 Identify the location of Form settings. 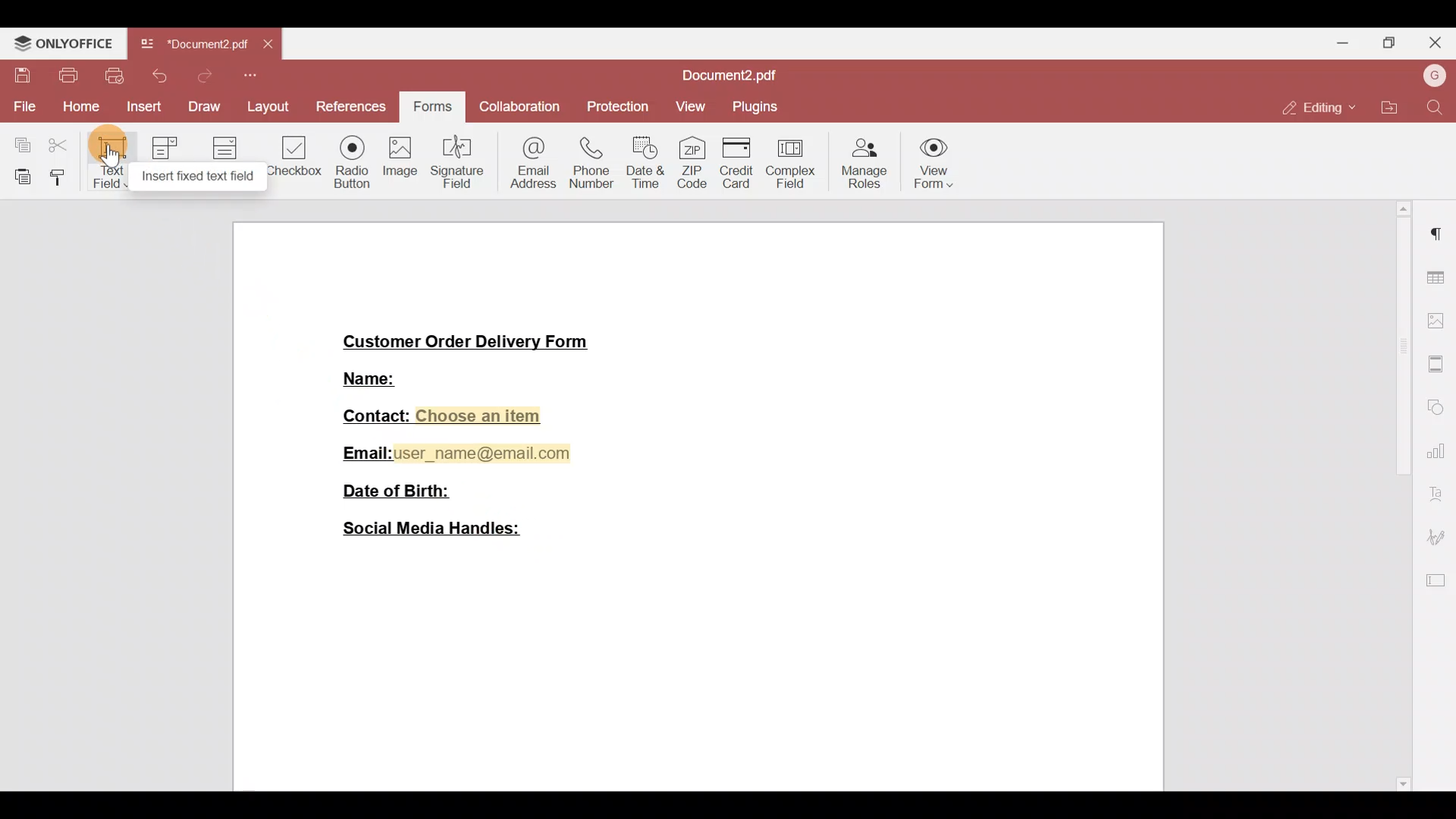
(1438, 579).